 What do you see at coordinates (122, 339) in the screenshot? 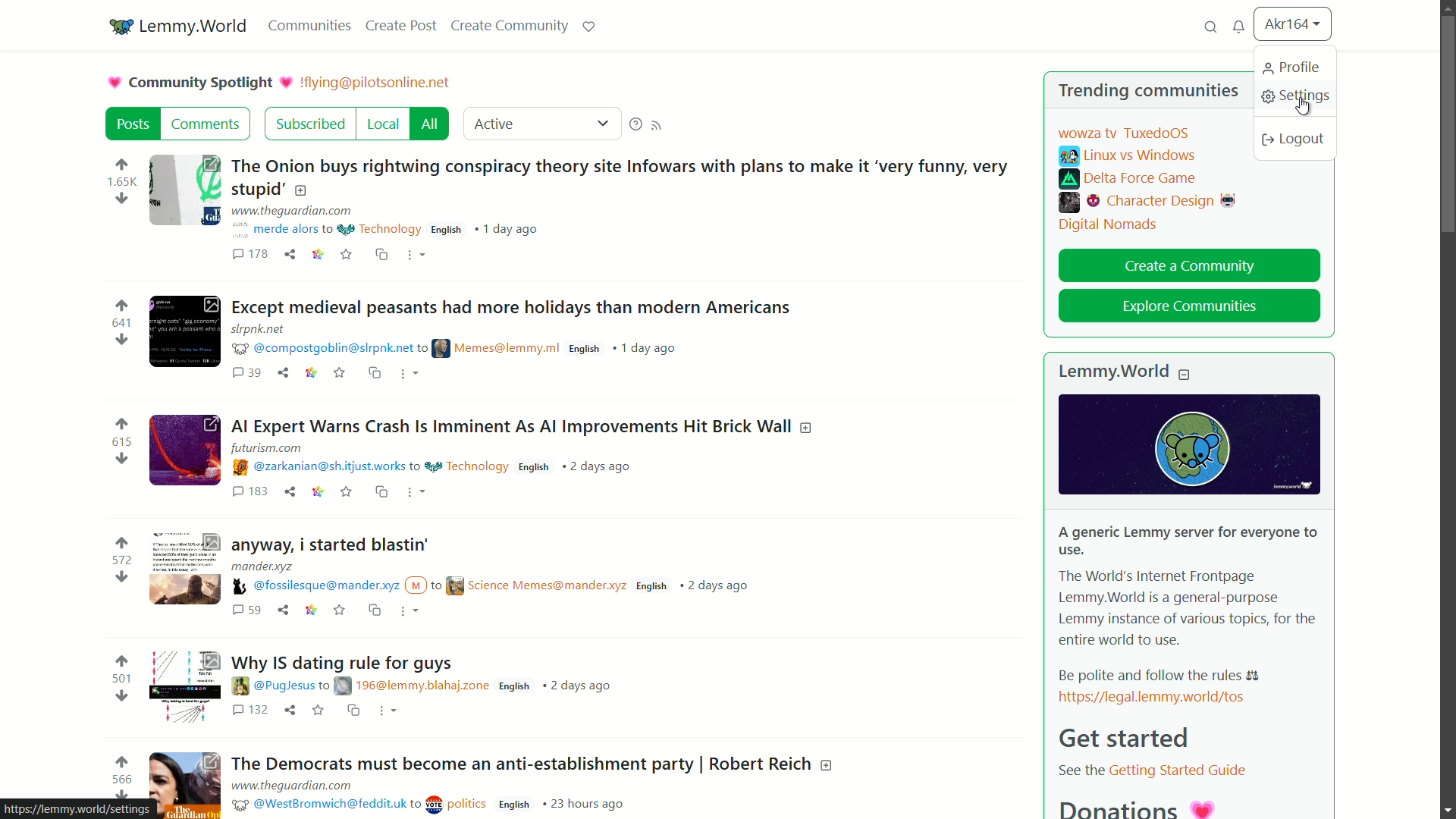
I see `downvote` at bounding box center [122, 339].